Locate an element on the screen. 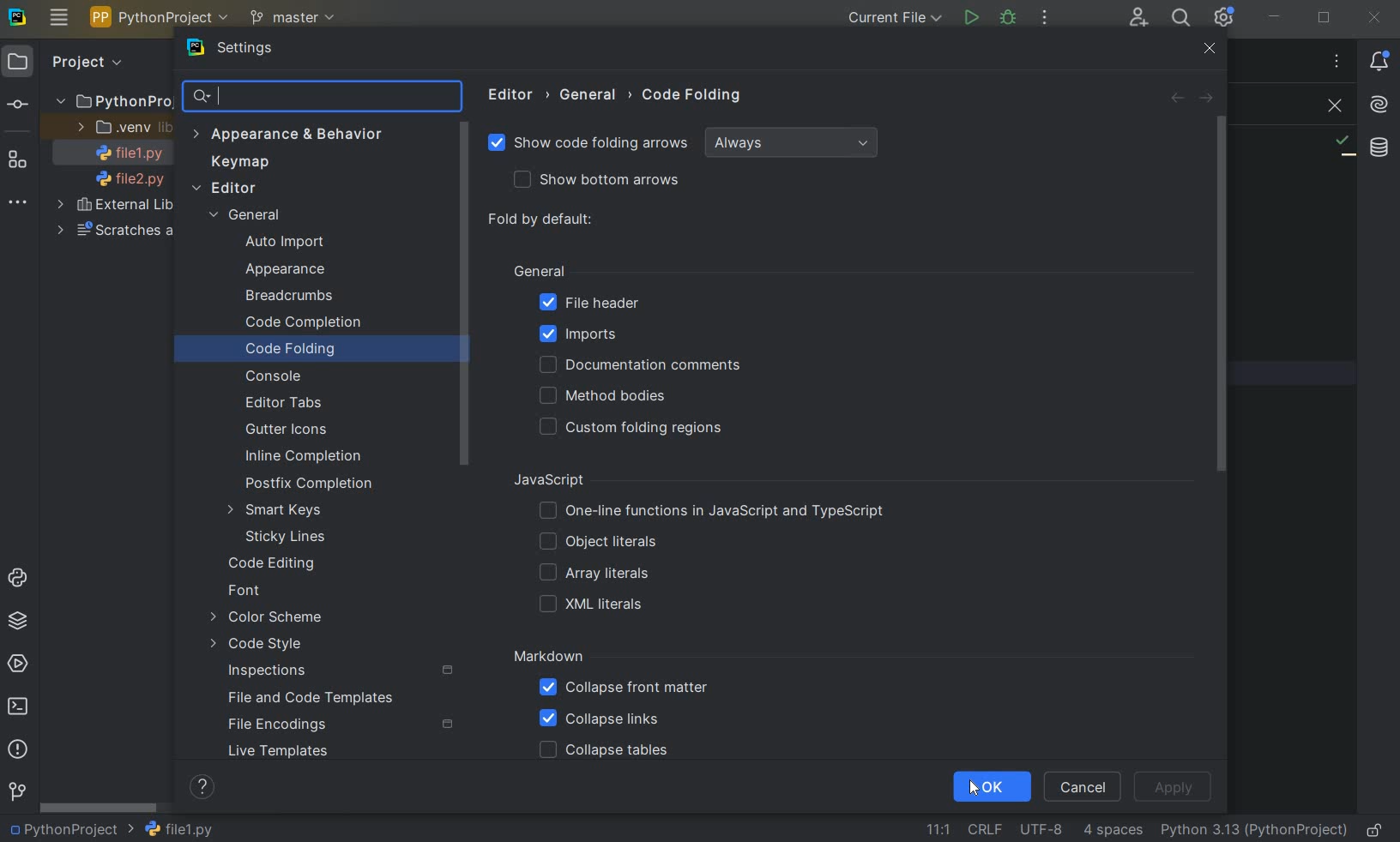 Image resolution: width=1400 pixels, height=842 pixels. FONT is located at coordinates (251, 592).